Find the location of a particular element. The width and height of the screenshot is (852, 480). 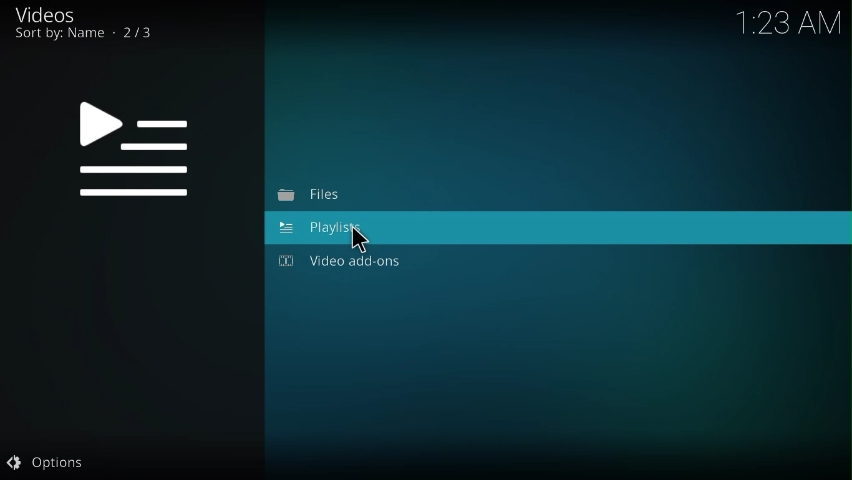

videos is located at coordinates (139, 152).